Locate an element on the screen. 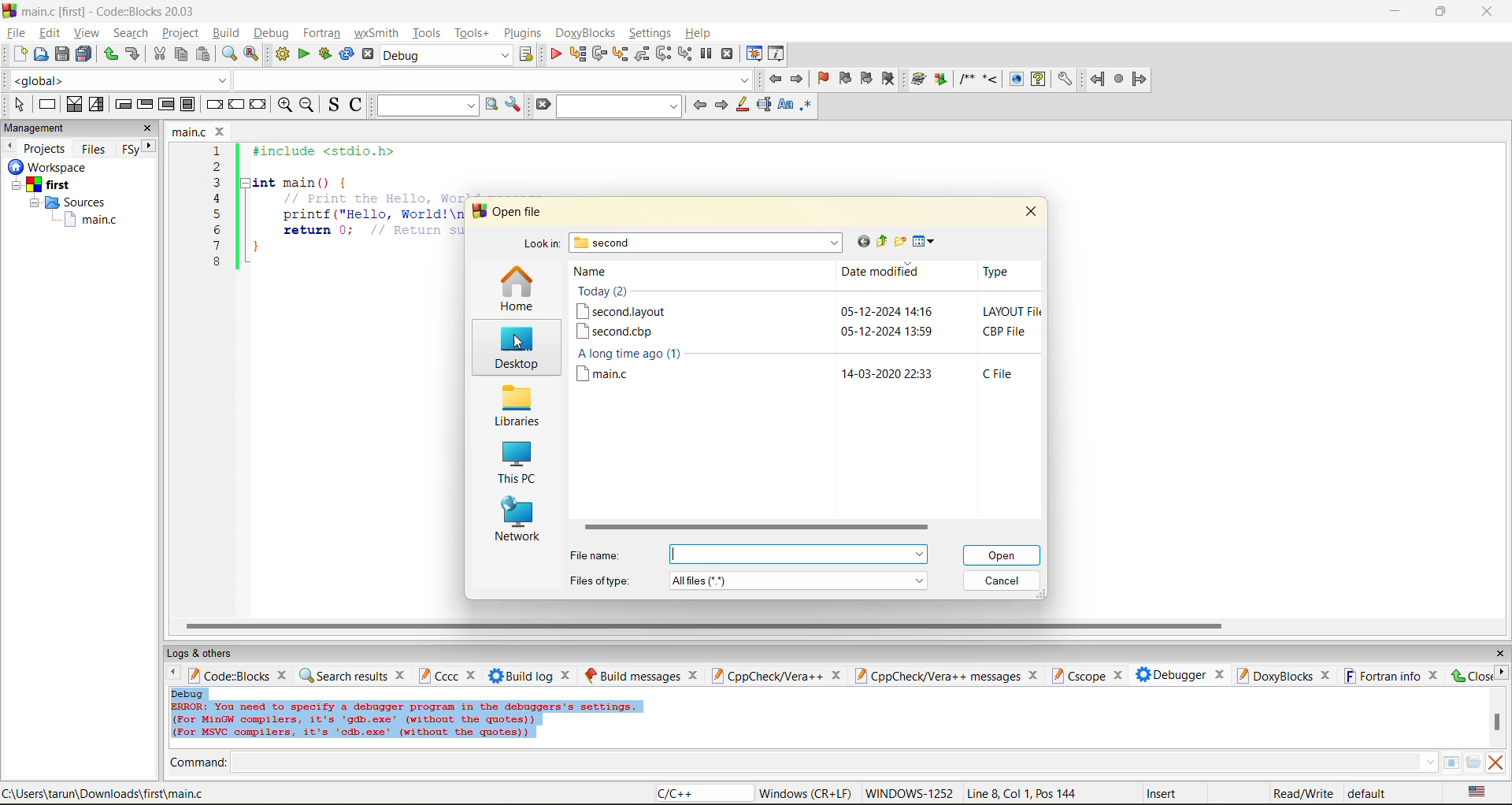  run to cursor is located at coordinates (576, 54).